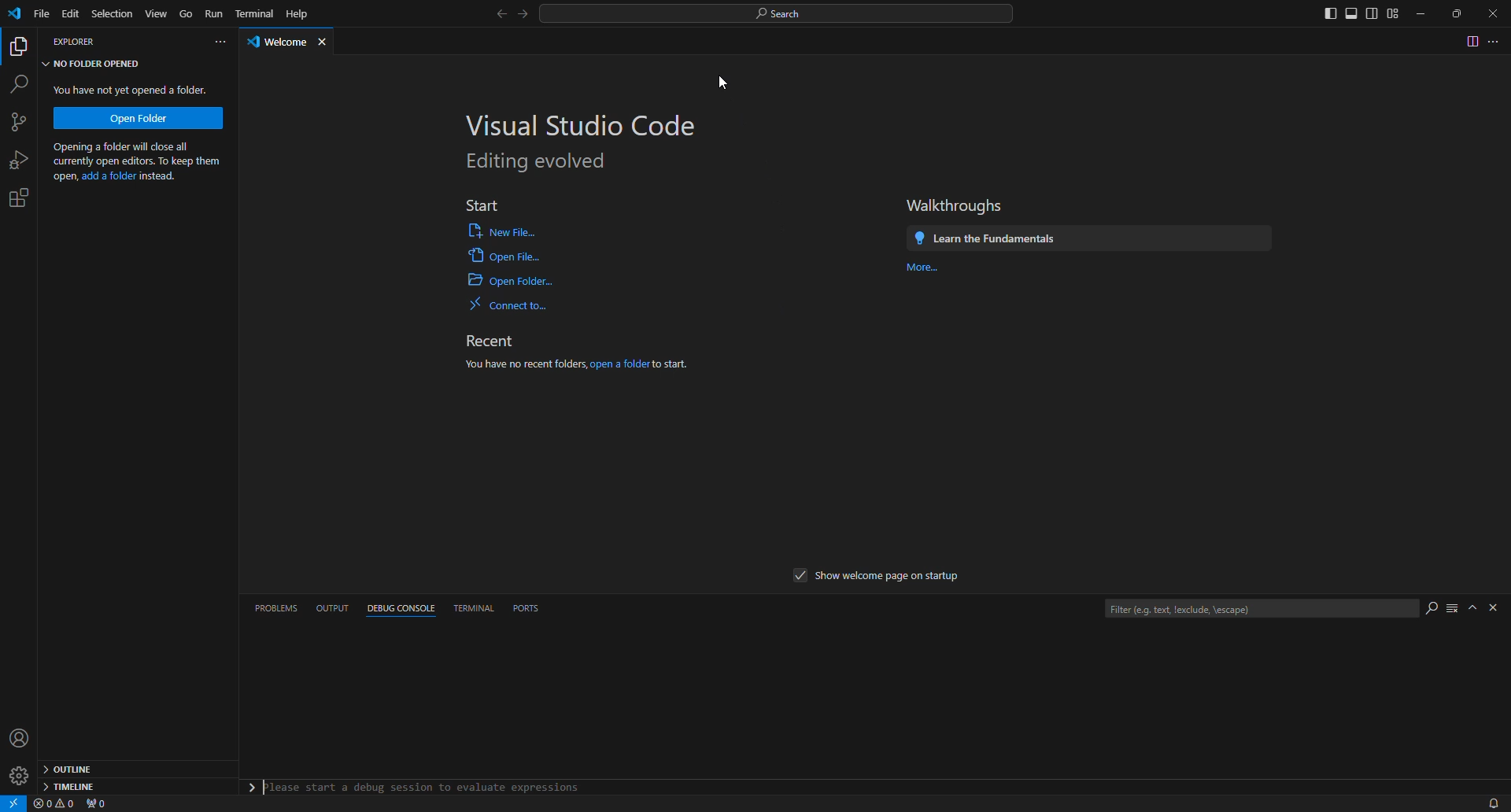 The image size is (1511, 812). Describe the element at coordinates (523, 18) in the screenshot. I see `next` at that location.